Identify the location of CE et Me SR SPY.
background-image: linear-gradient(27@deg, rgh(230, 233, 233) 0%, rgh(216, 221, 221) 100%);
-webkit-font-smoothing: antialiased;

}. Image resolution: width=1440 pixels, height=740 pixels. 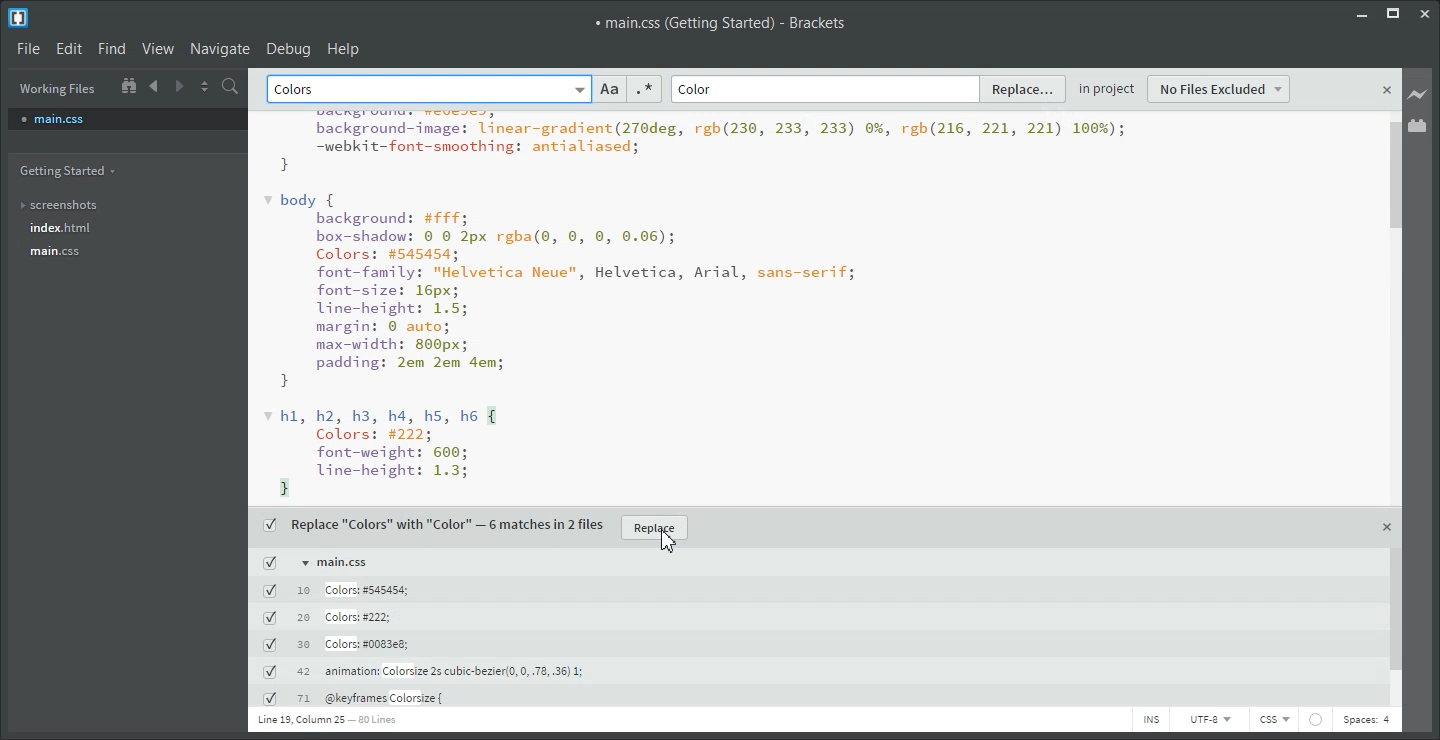
(699, 142).